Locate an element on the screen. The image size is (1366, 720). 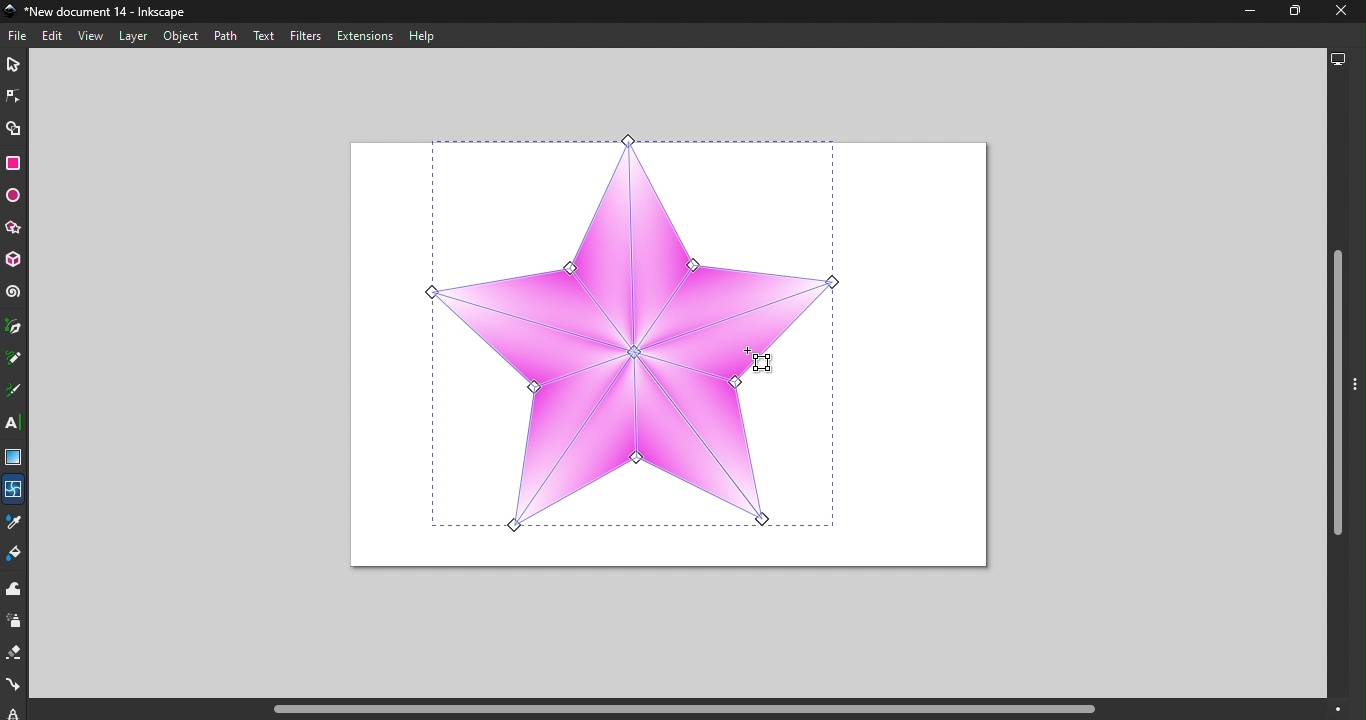
Help is located at coordinates (428, 34).